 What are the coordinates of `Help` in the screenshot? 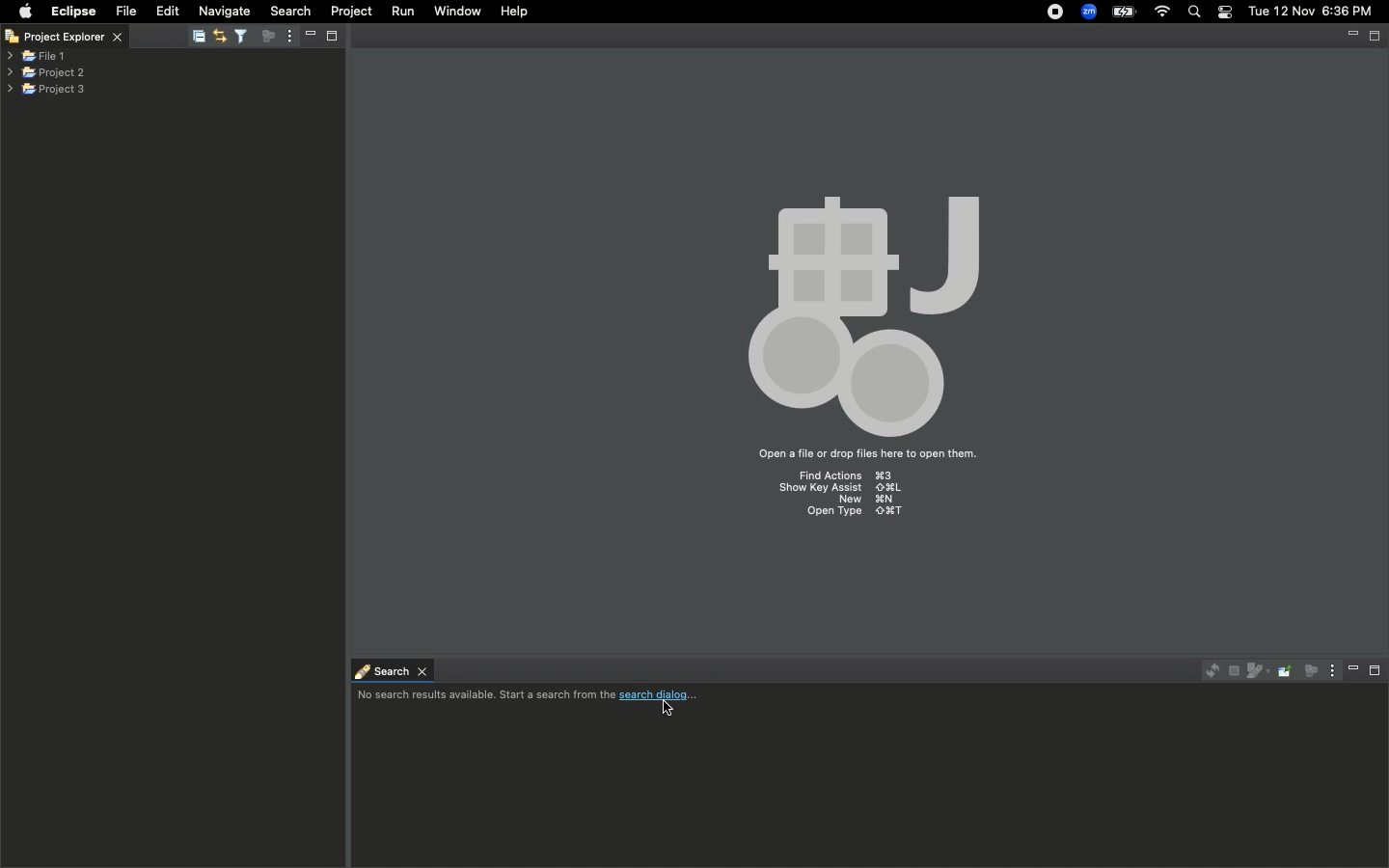 It's located at (516, 12).